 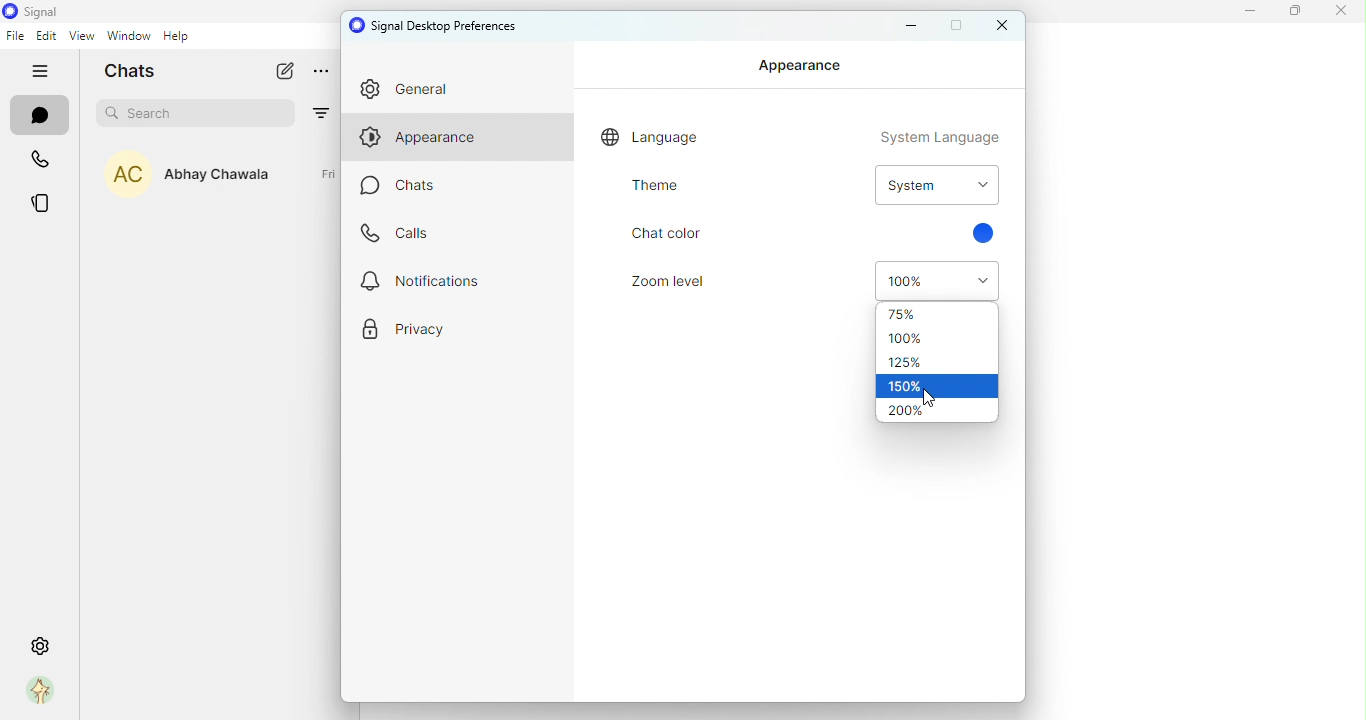 I want to click on 150%, so click(x=937, y=388).